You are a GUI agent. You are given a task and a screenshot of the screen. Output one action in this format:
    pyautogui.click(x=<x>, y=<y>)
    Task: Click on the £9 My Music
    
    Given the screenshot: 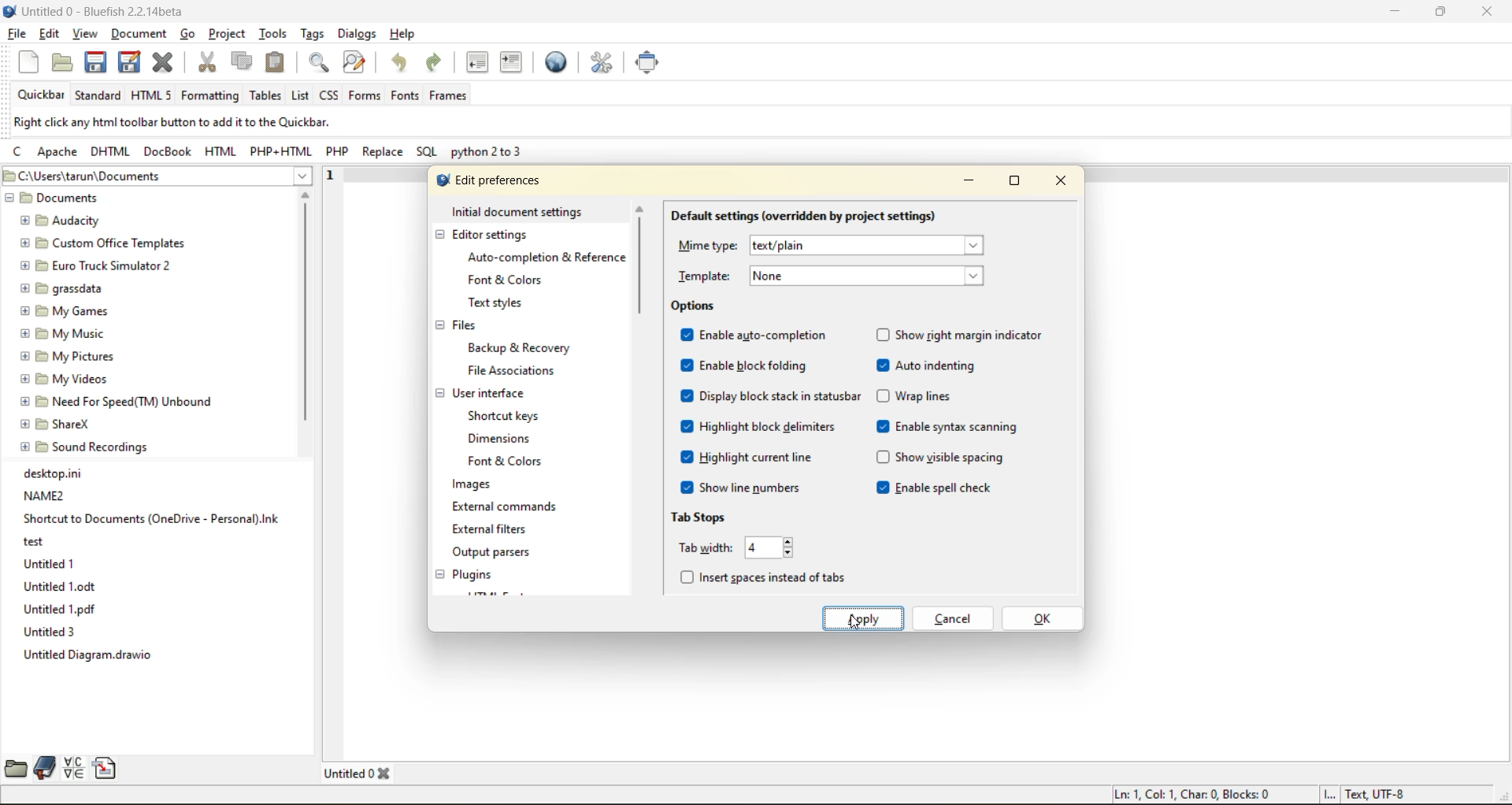 What is the action you would take?
    pyautogui.click(x=62, y=333)
    